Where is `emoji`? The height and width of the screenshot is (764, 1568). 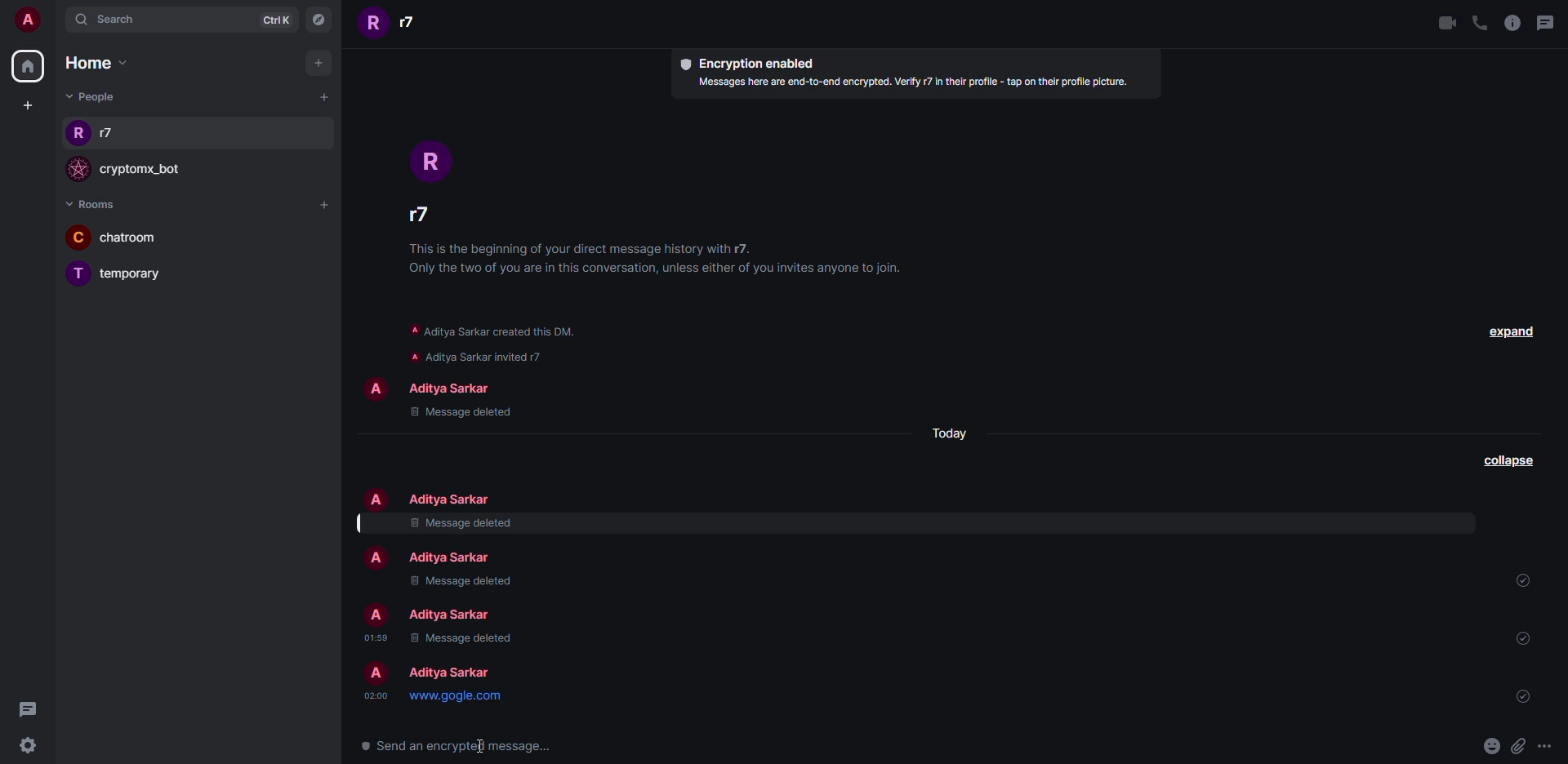 emoji is located at coordinates (1490, 744).